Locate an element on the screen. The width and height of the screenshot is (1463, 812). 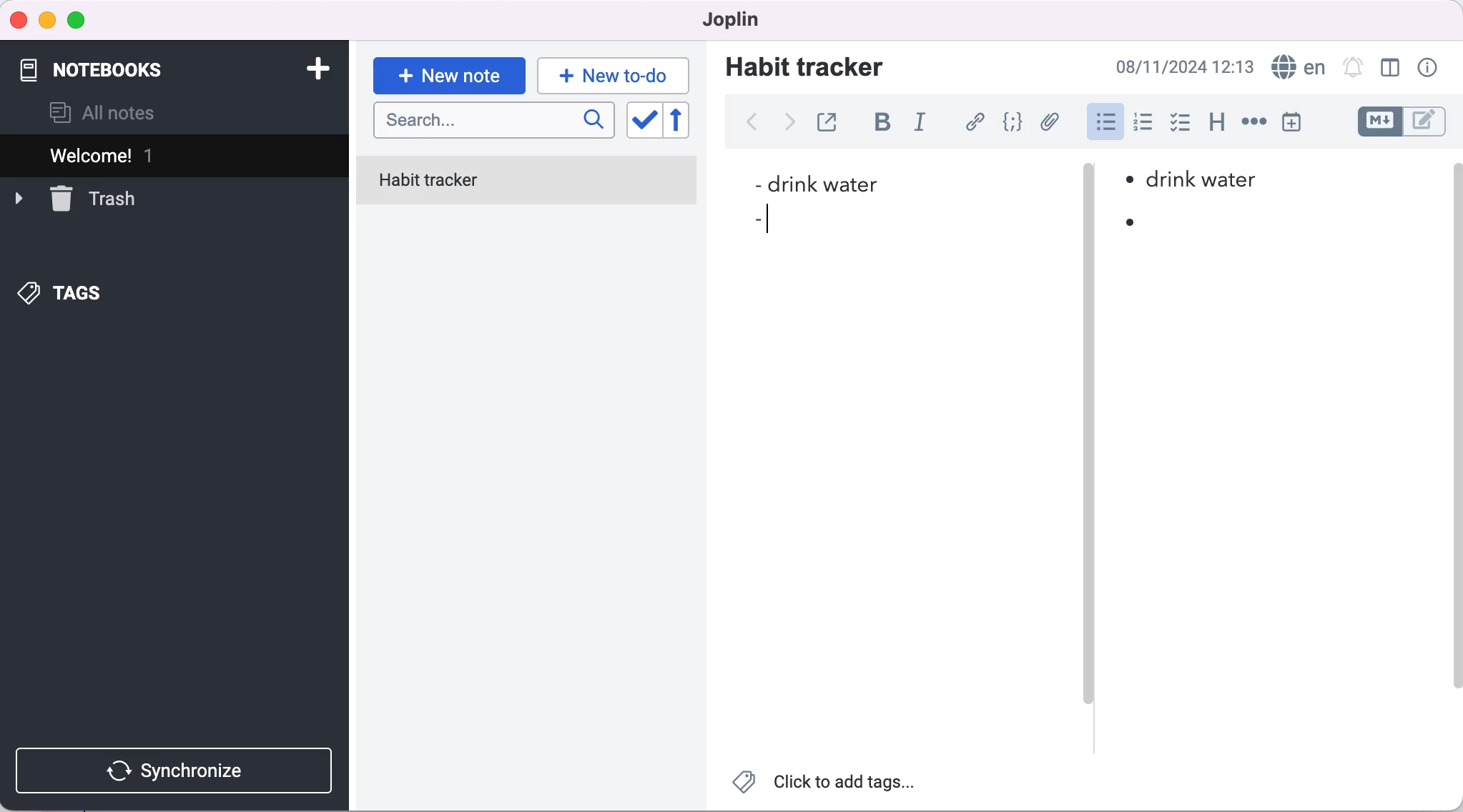
toggle editor layout is located at coordinates (1391, 68).